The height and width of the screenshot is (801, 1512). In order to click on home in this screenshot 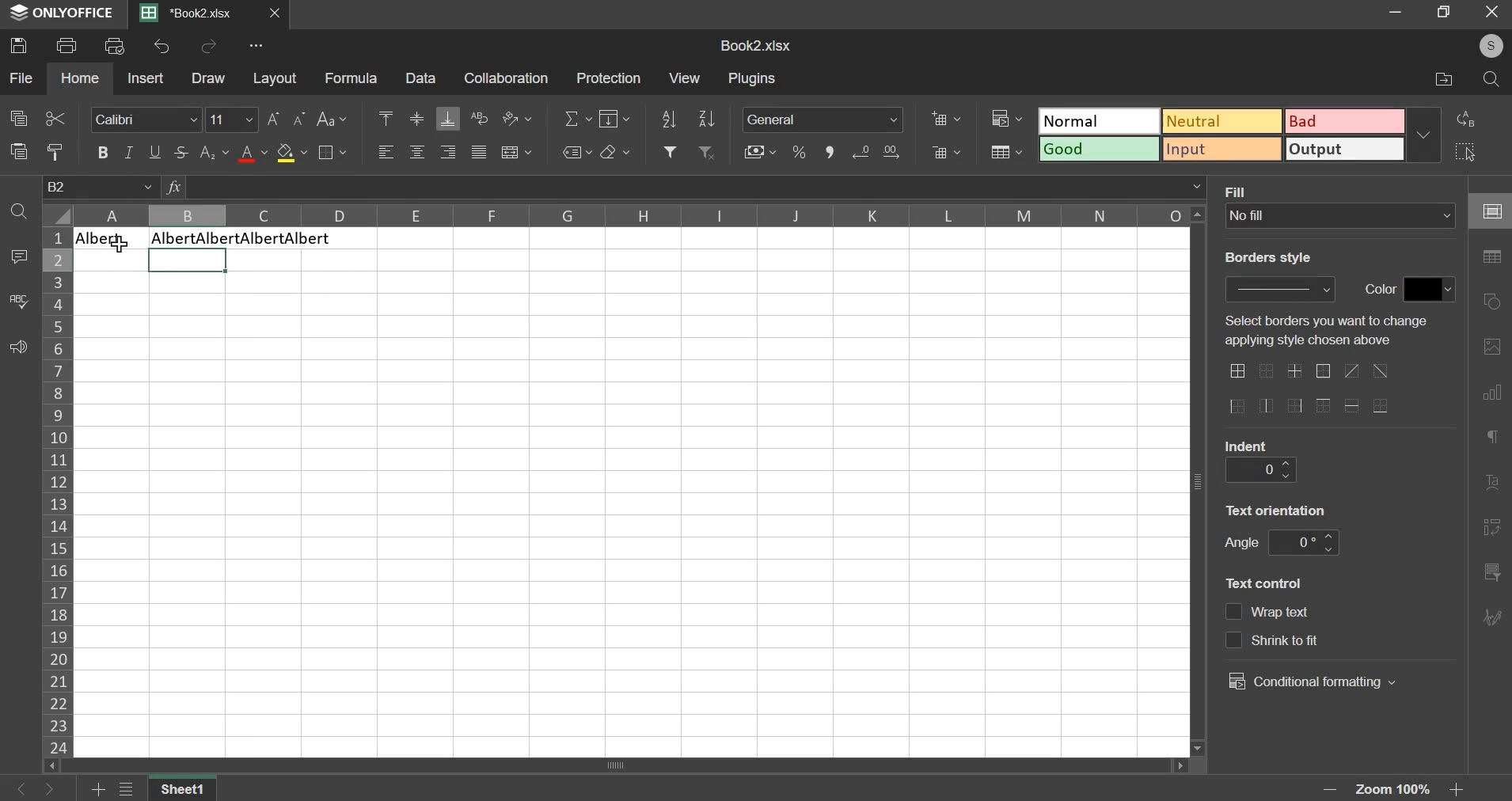, I will do `click(81, 79)`.